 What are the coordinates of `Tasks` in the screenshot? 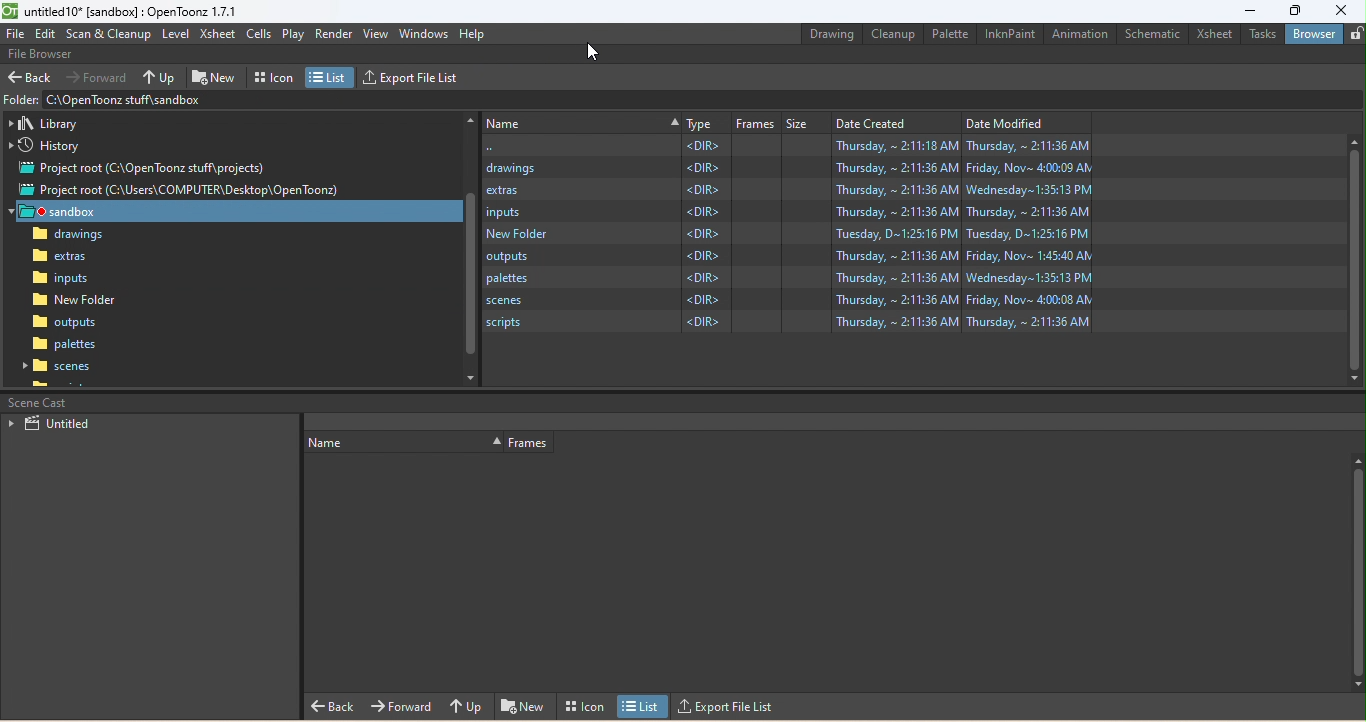 It's located at (1263, 32).